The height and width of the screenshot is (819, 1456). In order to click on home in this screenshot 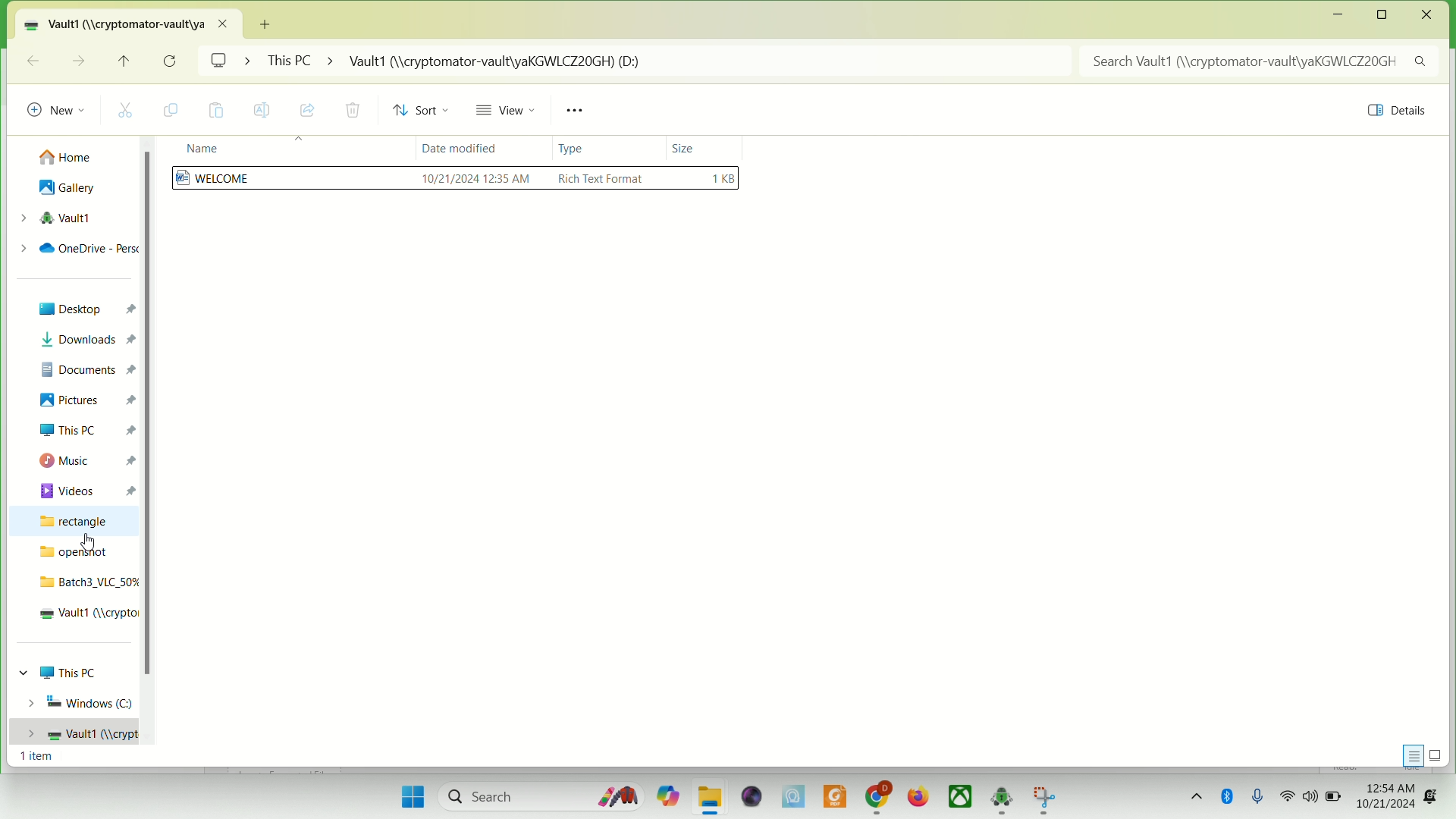, I will do `click(67, 153)`.